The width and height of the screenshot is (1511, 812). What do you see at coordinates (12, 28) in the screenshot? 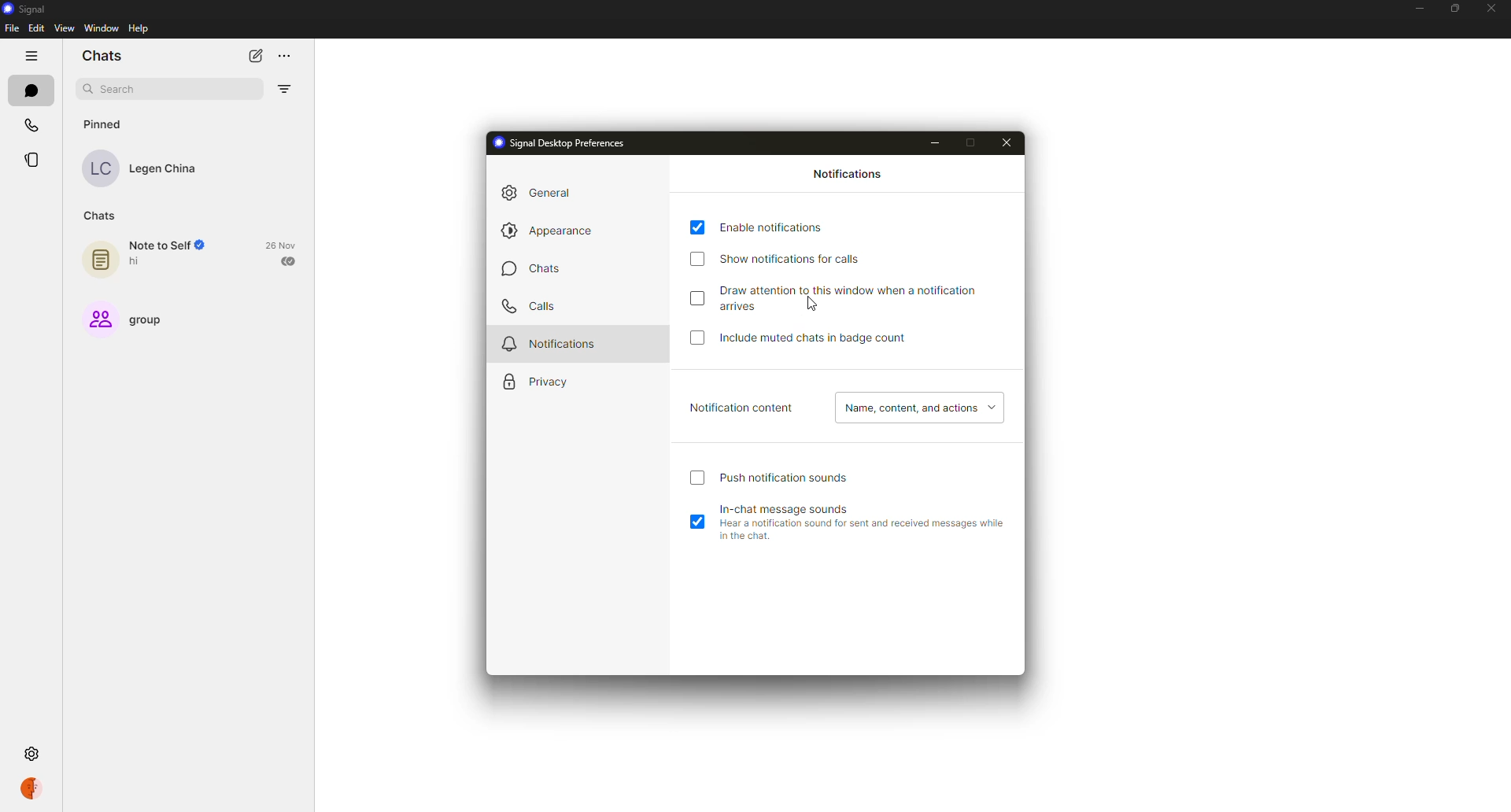
I see `file` at bounding box center [12, 28].